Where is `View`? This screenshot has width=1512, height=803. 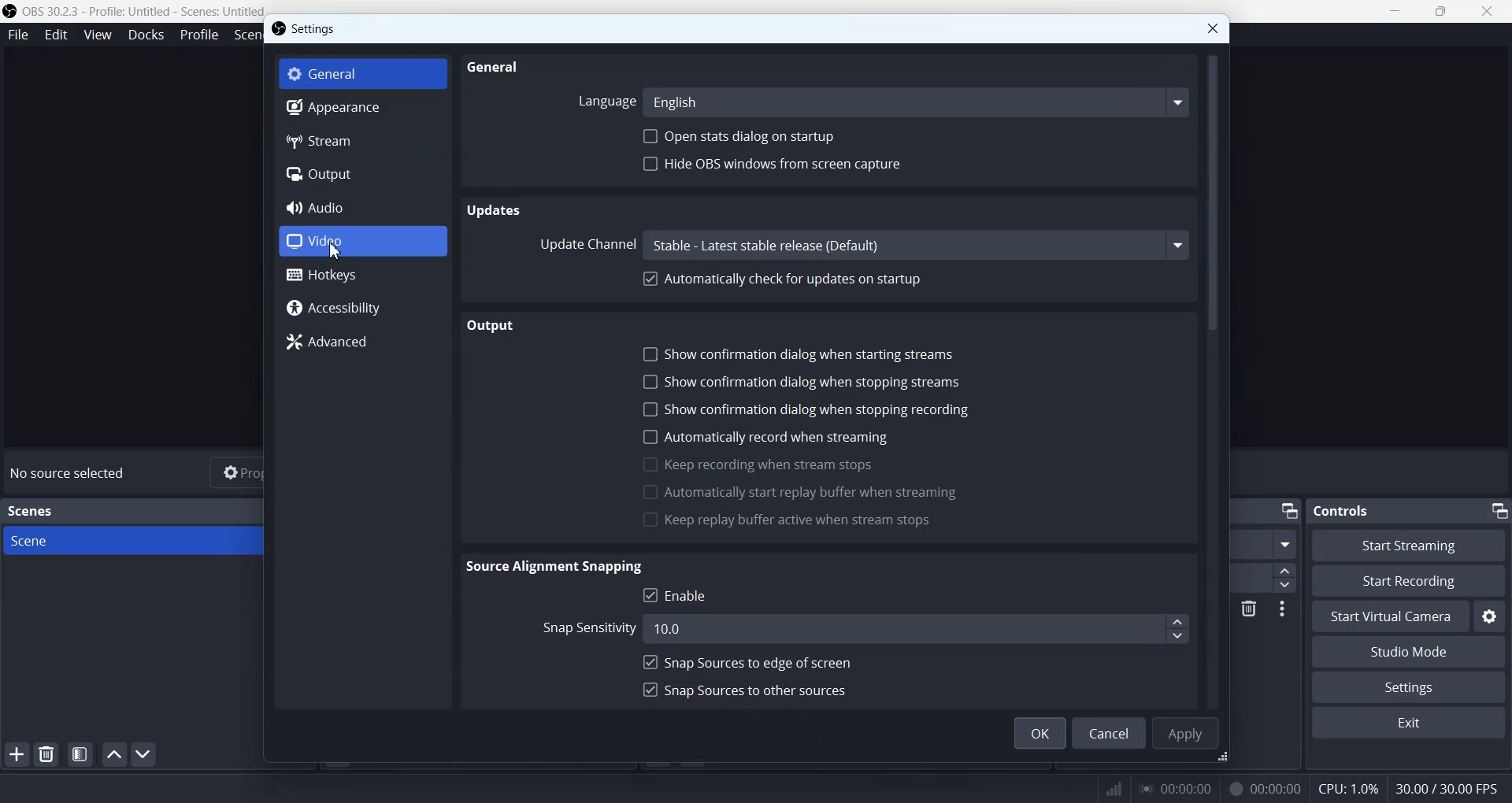
View is located at coordinates (97, 35).